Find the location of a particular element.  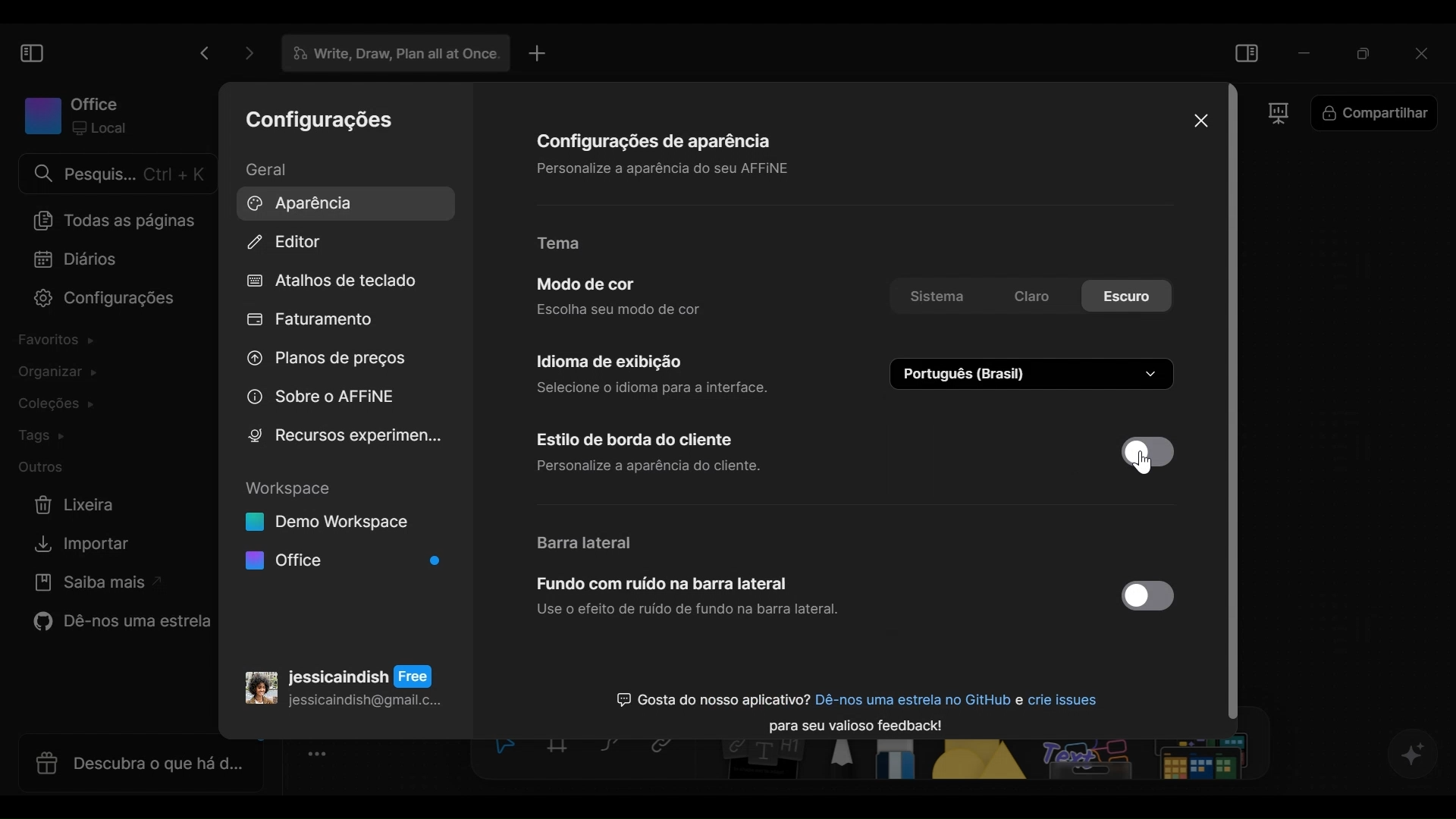

Favorites is located at coordinates (61, 343).